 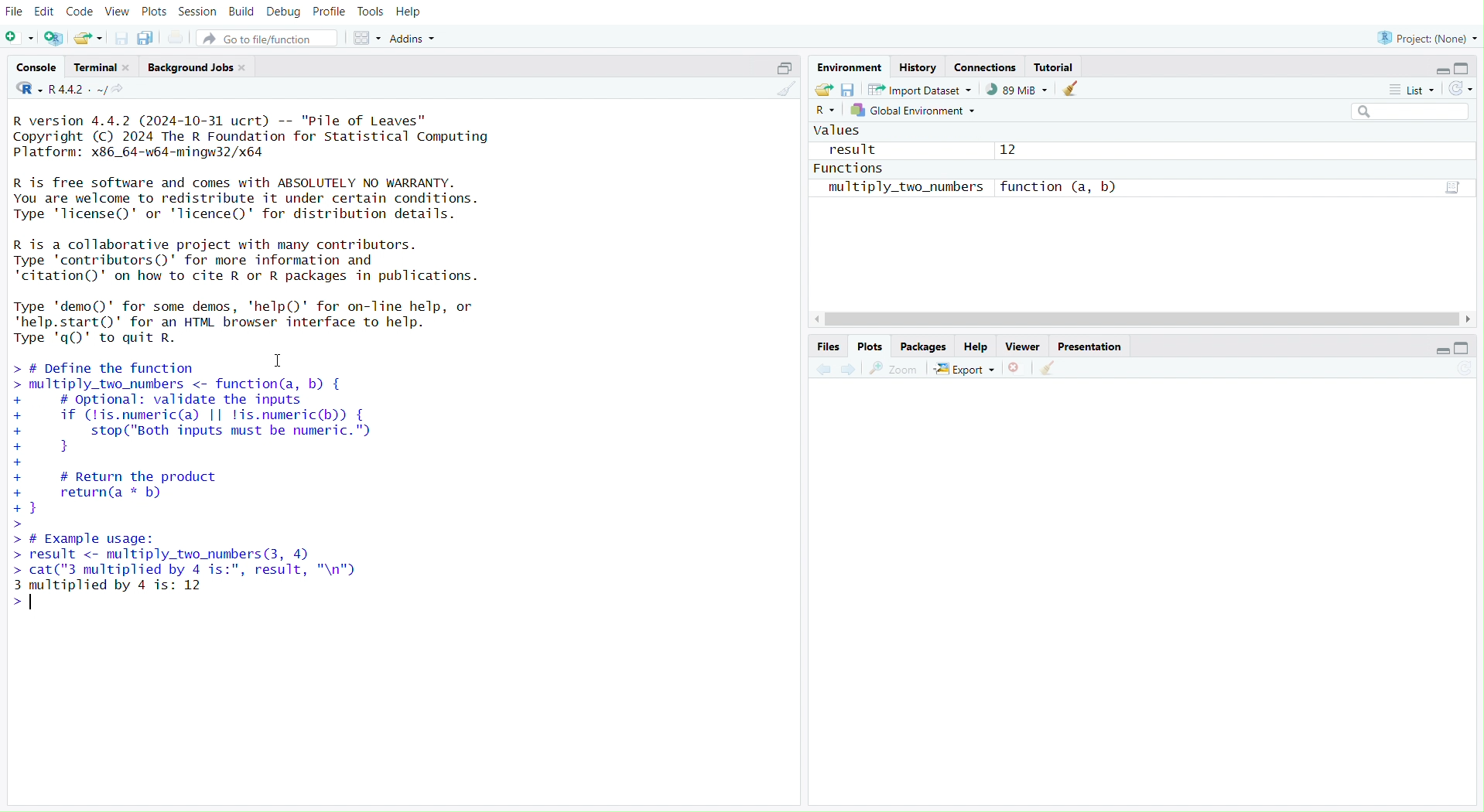 I want to click on Terminal, so click(x=102, y=67).